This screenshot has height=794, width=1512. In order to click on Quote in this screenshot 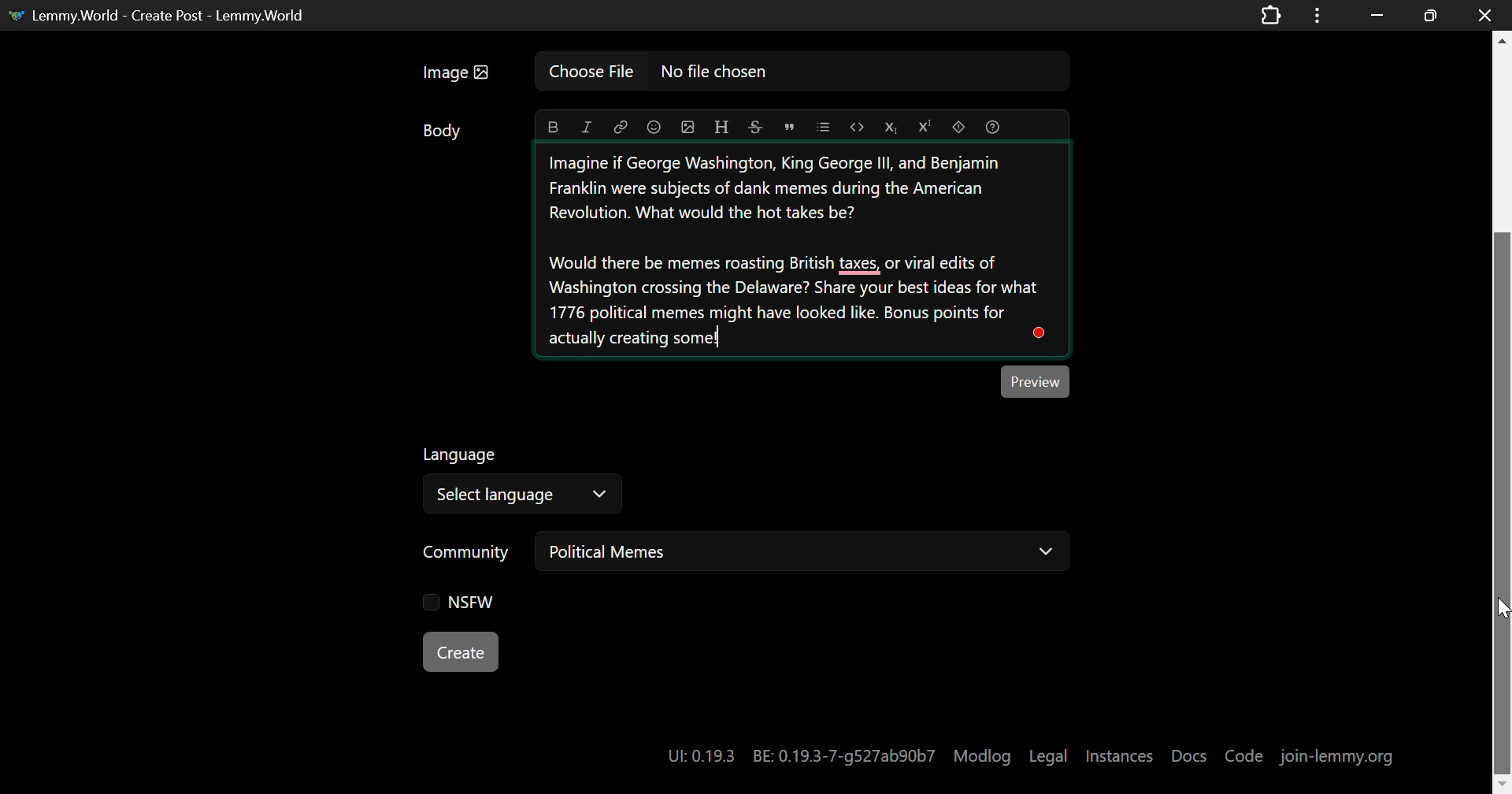, I will do `click(789, 127)`.